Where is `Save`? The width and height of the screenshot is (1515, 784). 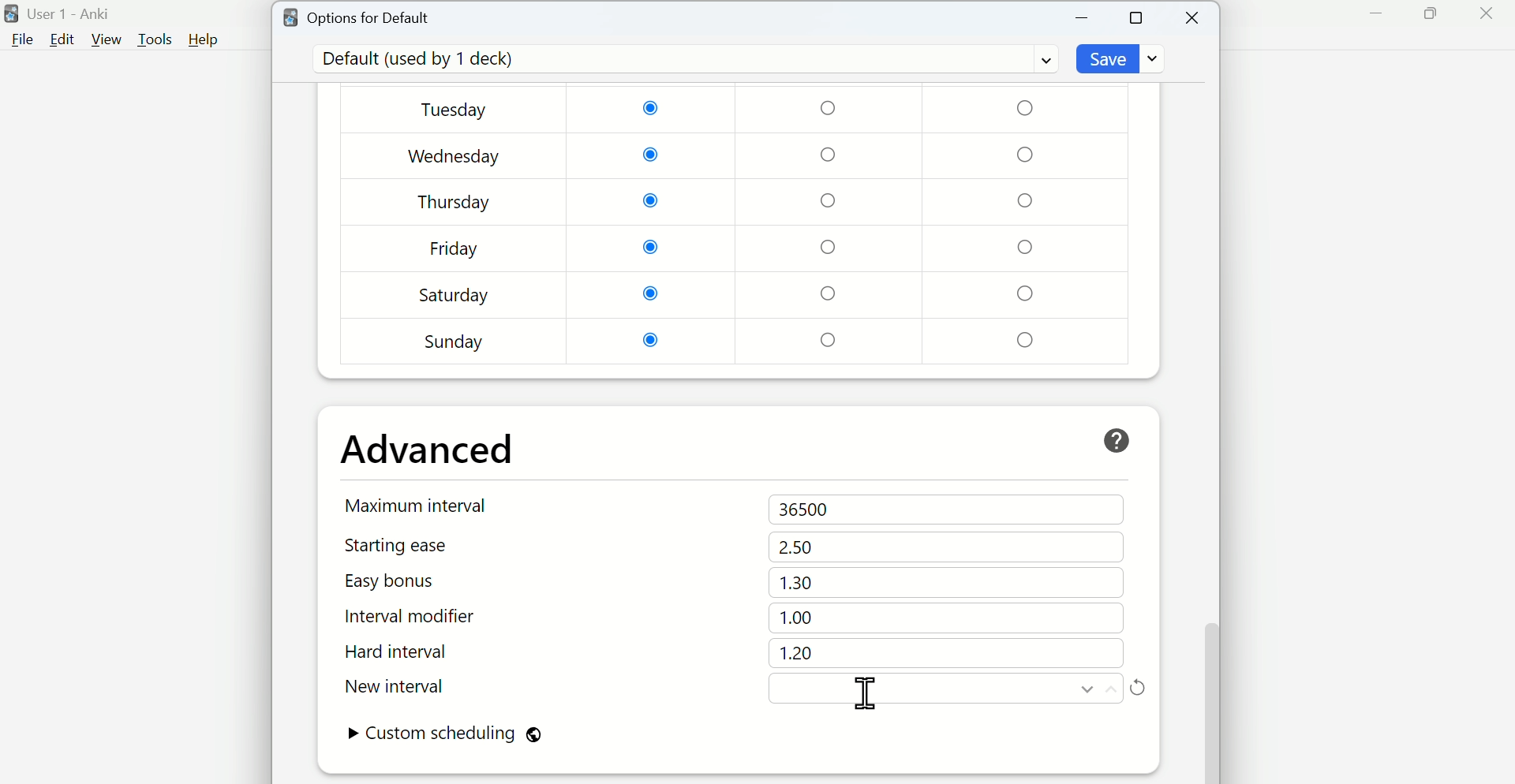 Save is located at coordinates (1123, 58).